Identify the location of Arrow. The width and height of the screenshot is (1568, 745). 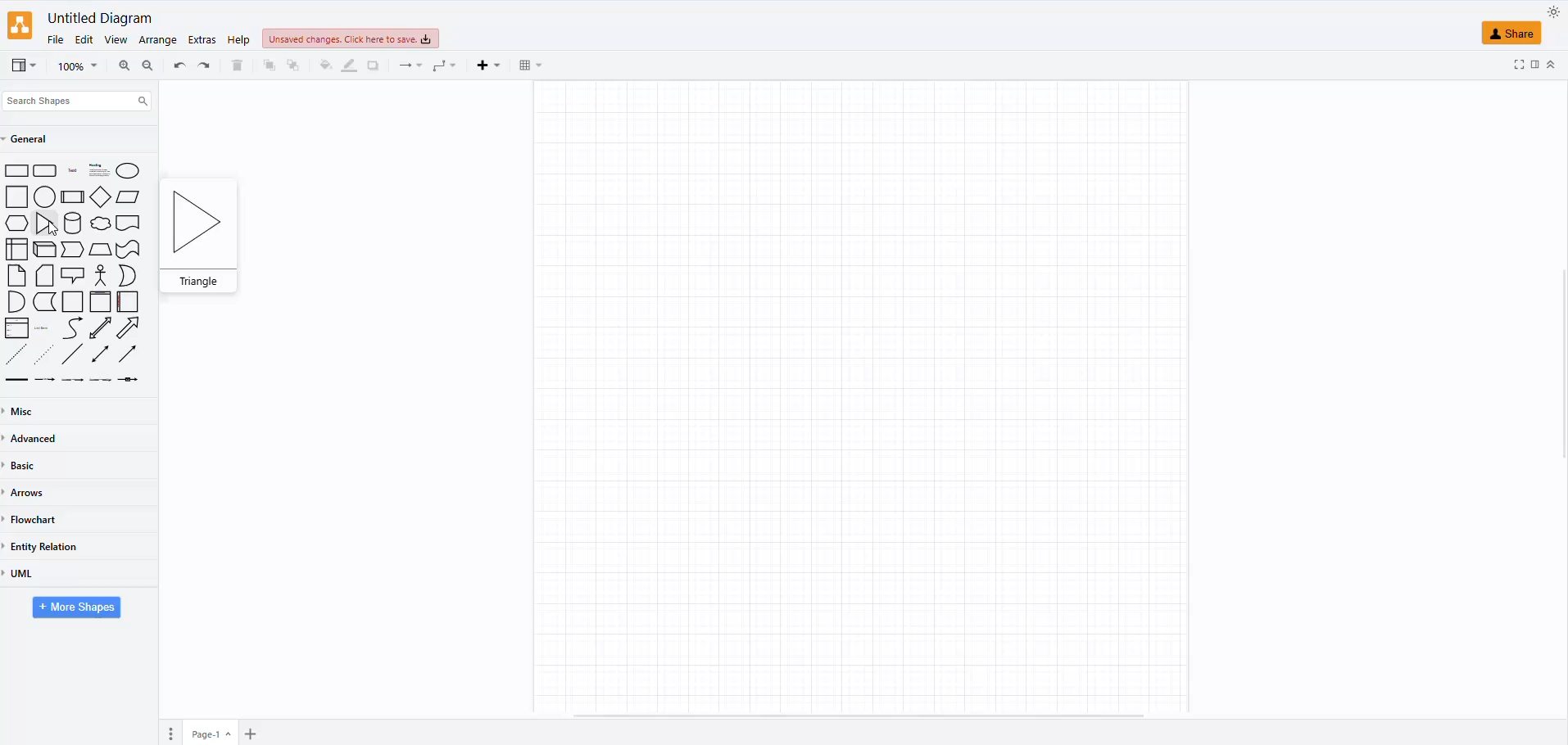
(129, 354).